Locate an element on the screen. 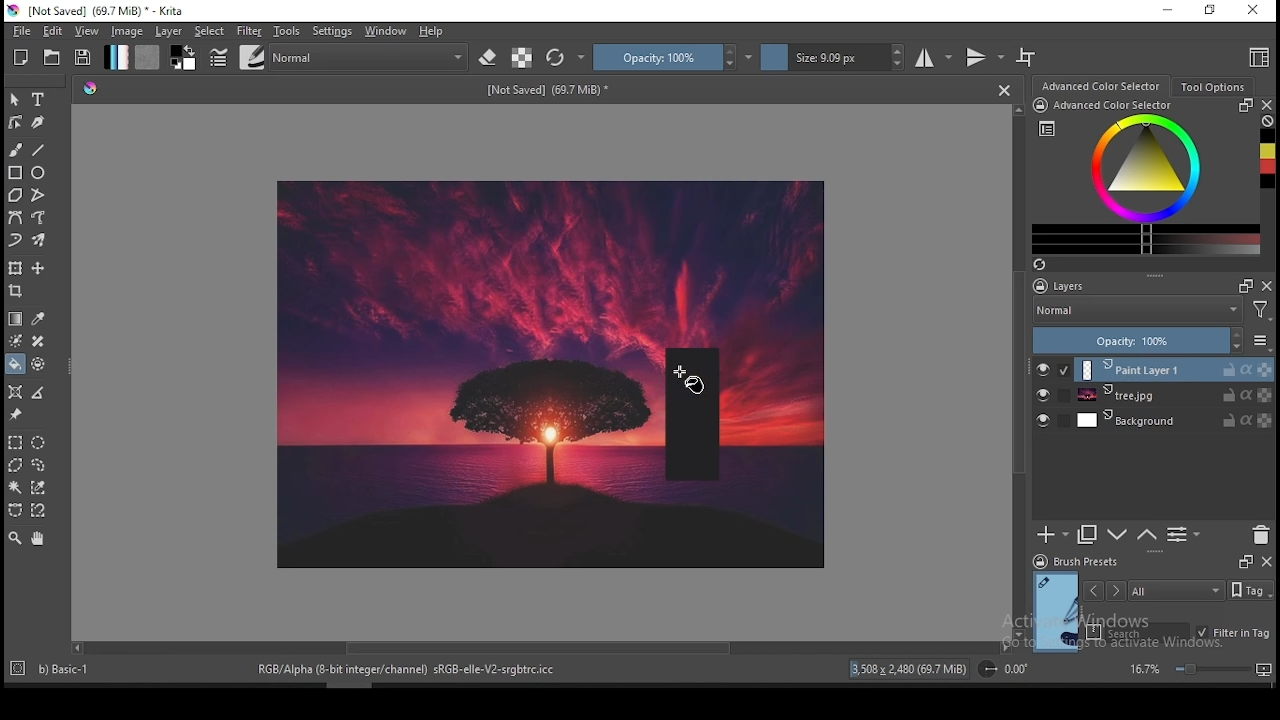  mouse pointer is located at coordinates (692, 383).